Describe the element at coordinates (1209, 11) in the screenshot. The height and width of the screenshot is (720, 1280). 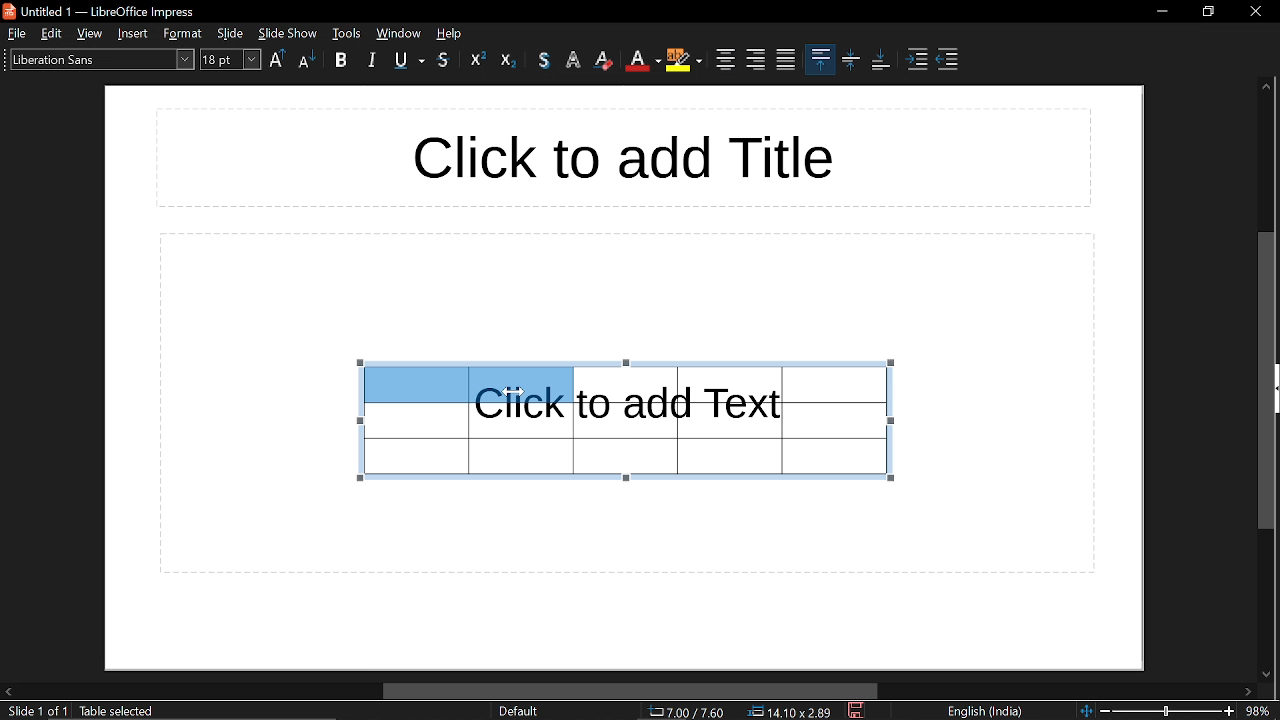
I see `restore down` at that location.